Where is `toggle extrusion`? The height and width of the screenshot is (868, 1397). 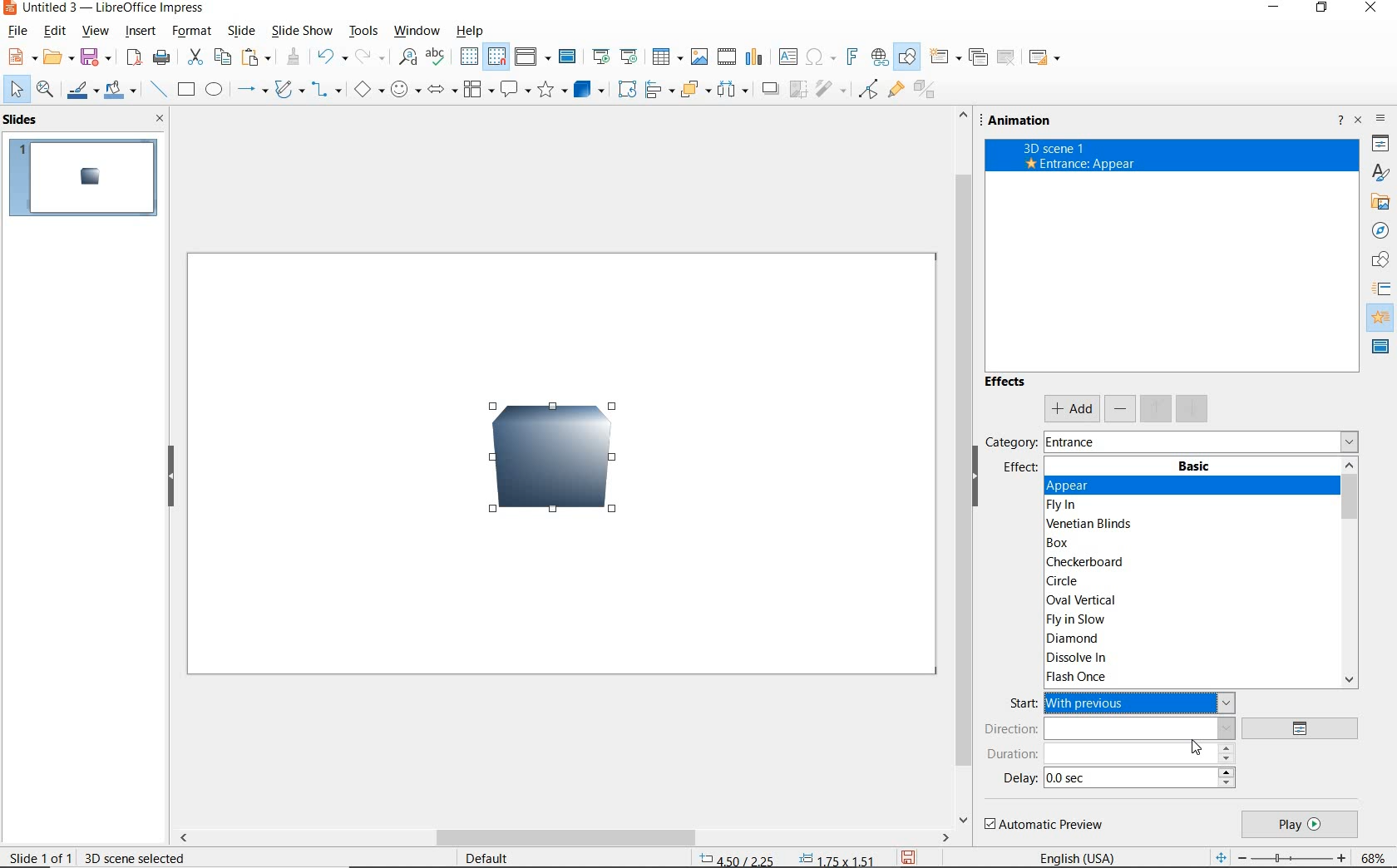
toggle extrusion is located at coordinates (927, 92).